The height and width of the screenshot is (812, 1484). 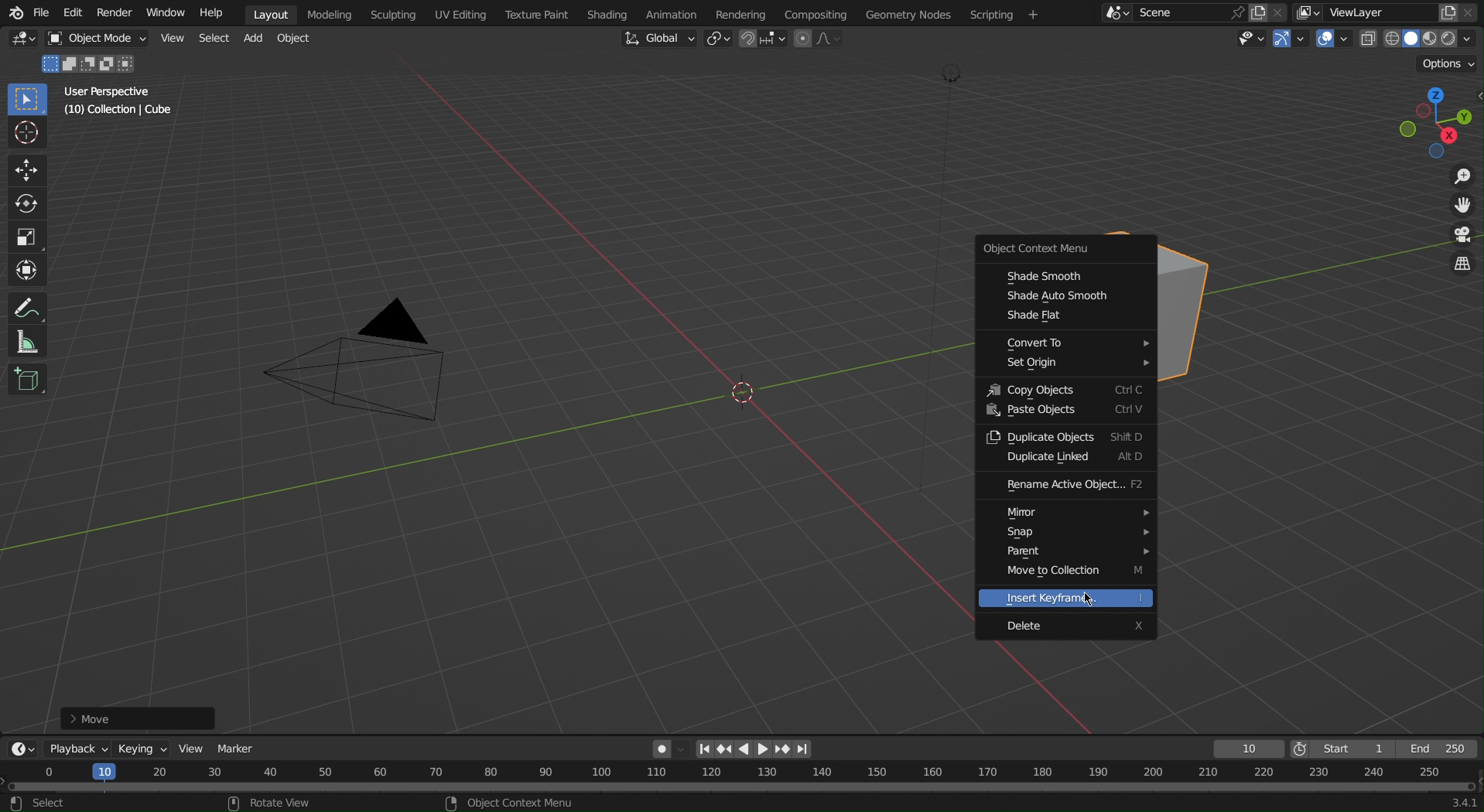 I want to click on User Perspective, so click(x=114, y=94).